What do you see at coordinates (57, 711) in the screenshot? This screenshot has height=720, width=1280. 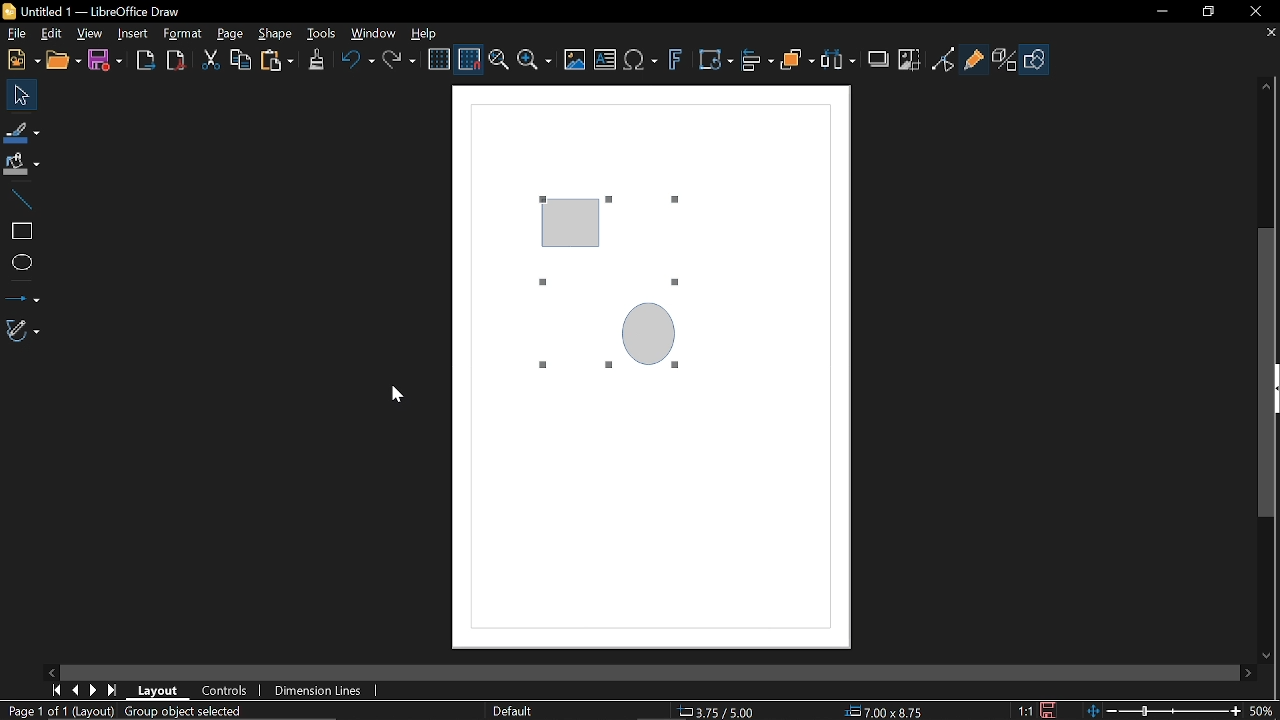 I see `Current page` at bounding box center [57, 711].